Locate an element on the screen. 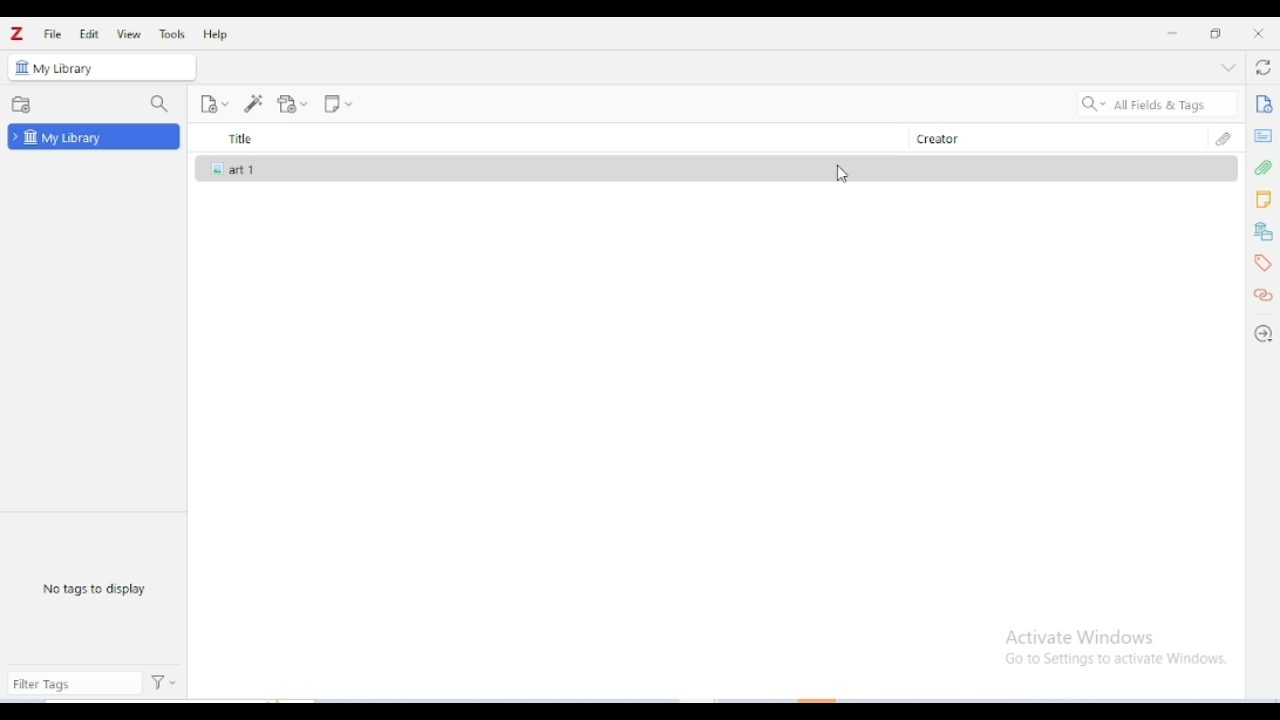 The image size is (1280, 720). art 1 item is located at coordinates (717, 169).